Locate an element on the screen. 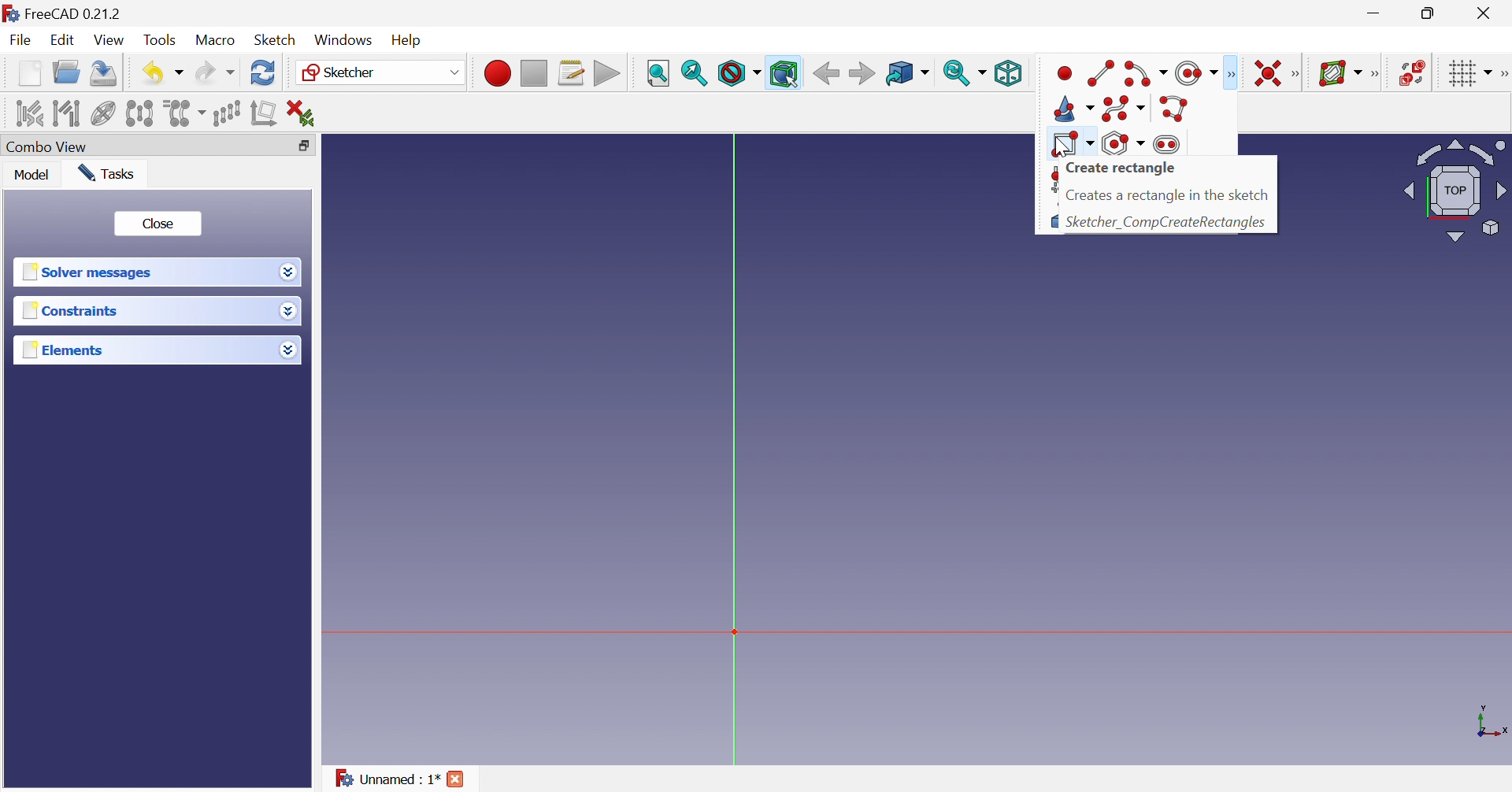  Show/hide internal geometry is located at coordinates (103, 113).